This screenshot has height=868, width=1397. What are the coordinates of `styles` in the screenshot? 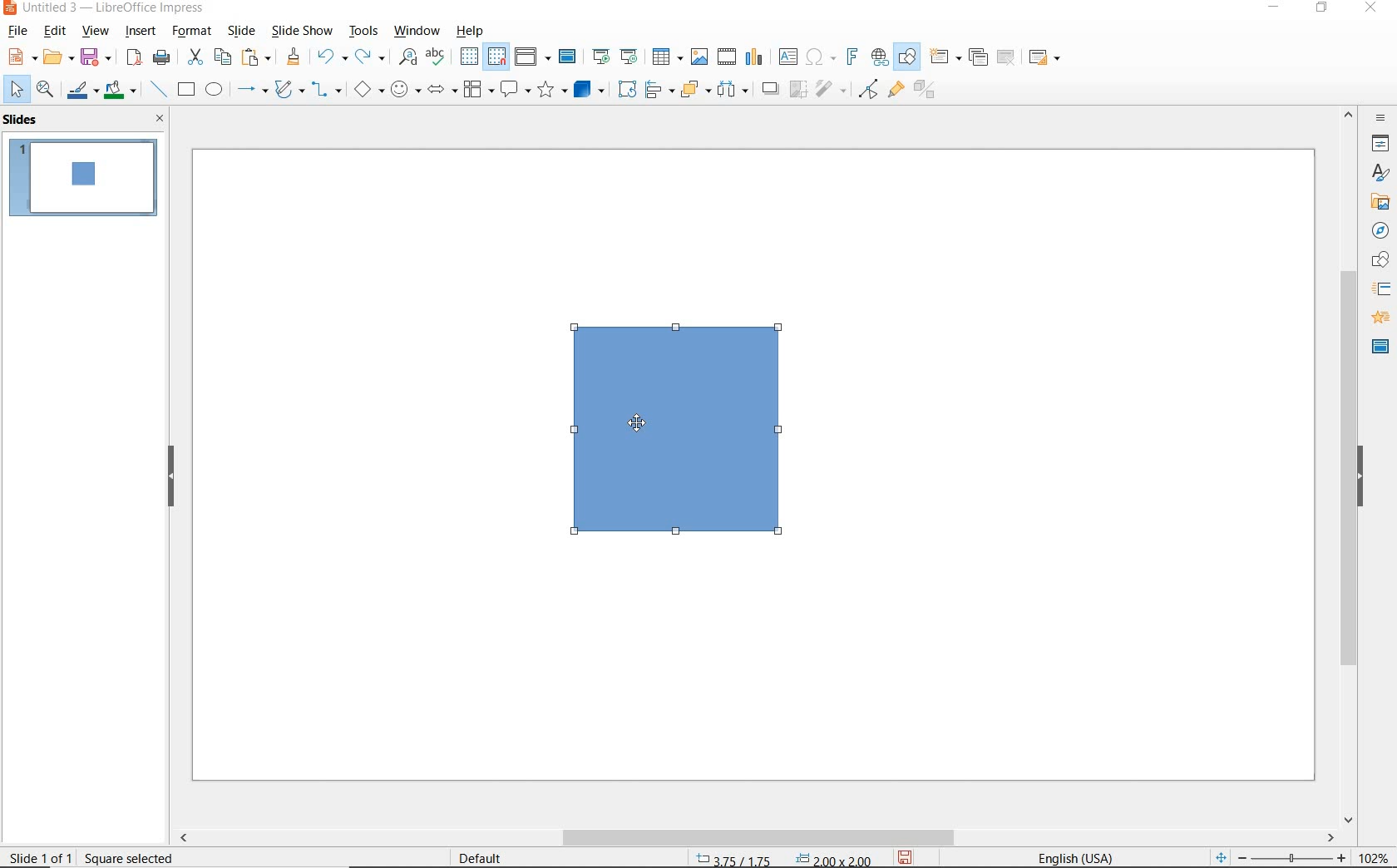 It's located at (1380, 174).